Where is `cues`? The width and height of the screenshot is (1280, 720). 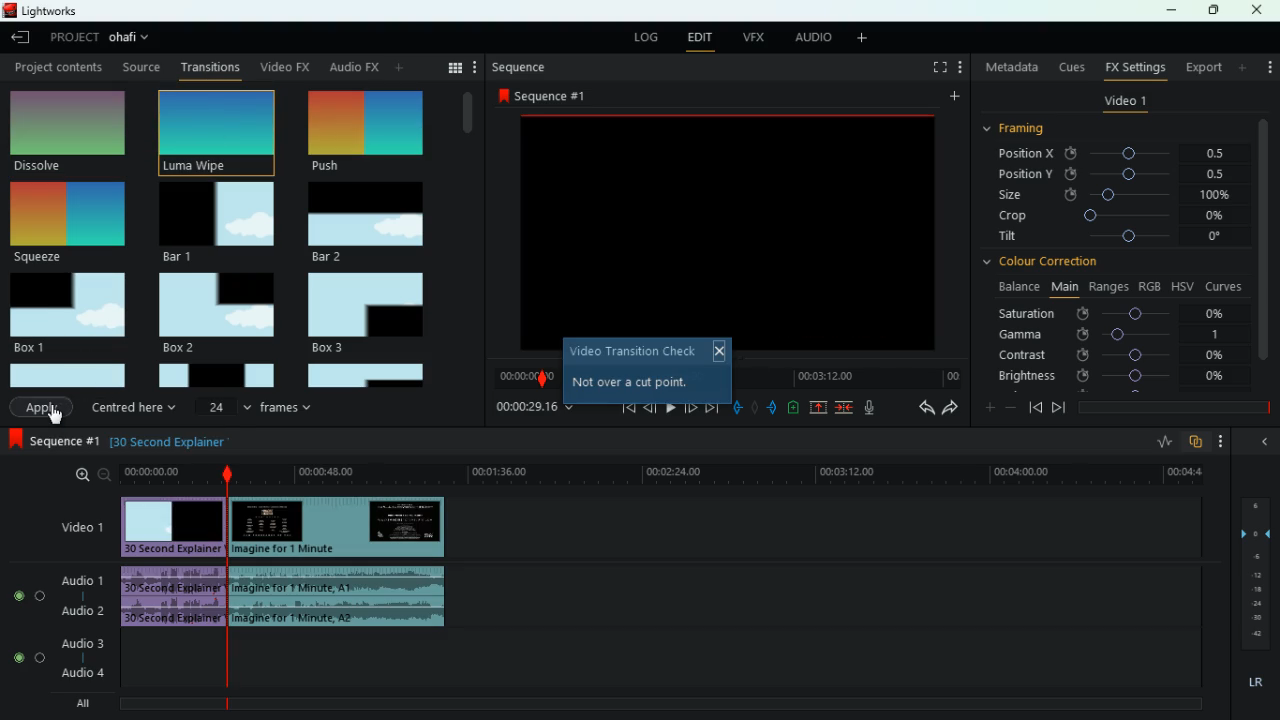
cues is located at coordinates (1073, 67).